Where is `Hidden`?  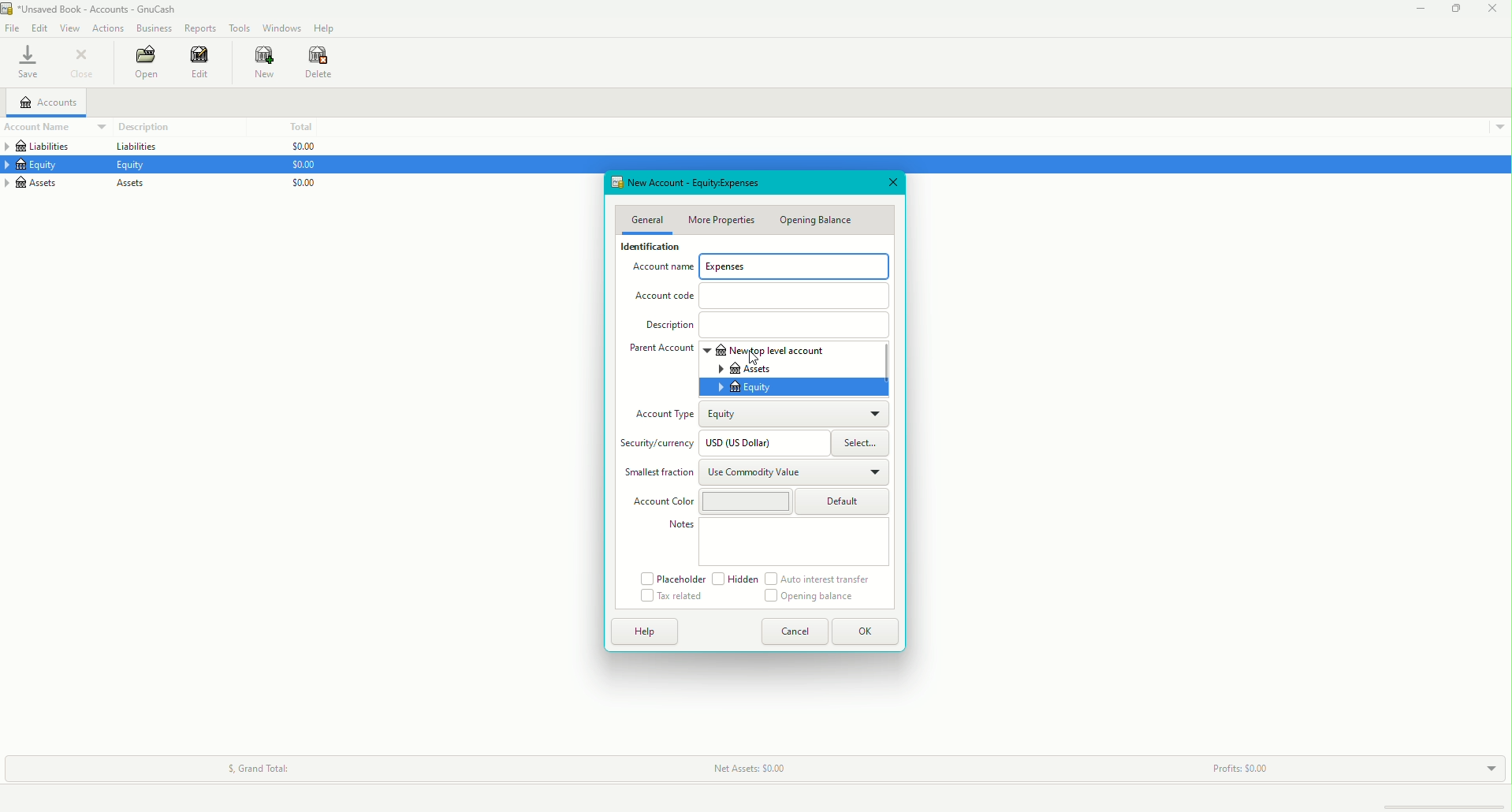 Hidden is located at coordinates (736, 579).